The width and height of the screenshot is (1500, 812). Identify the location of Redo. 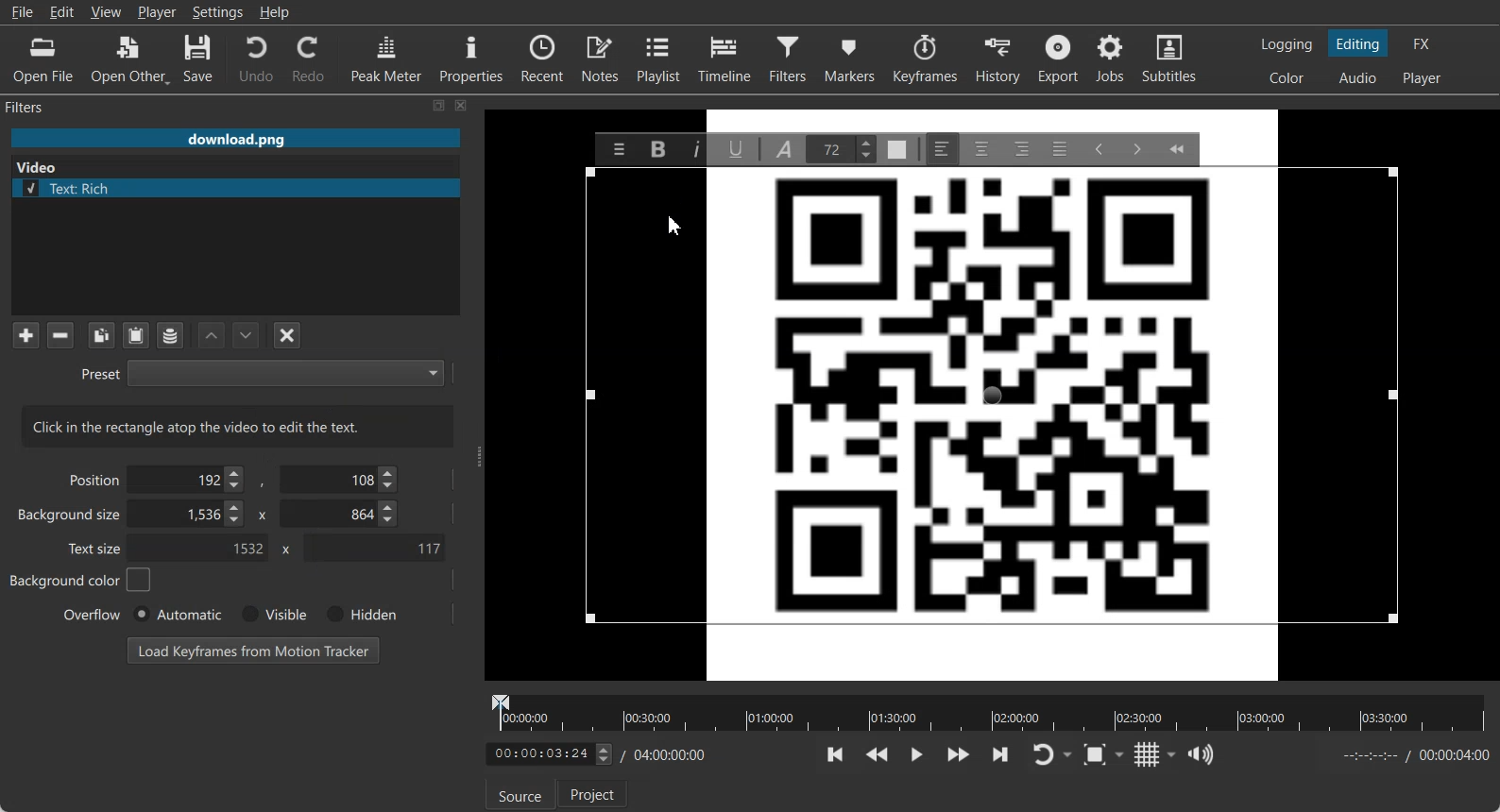
(310, 59).